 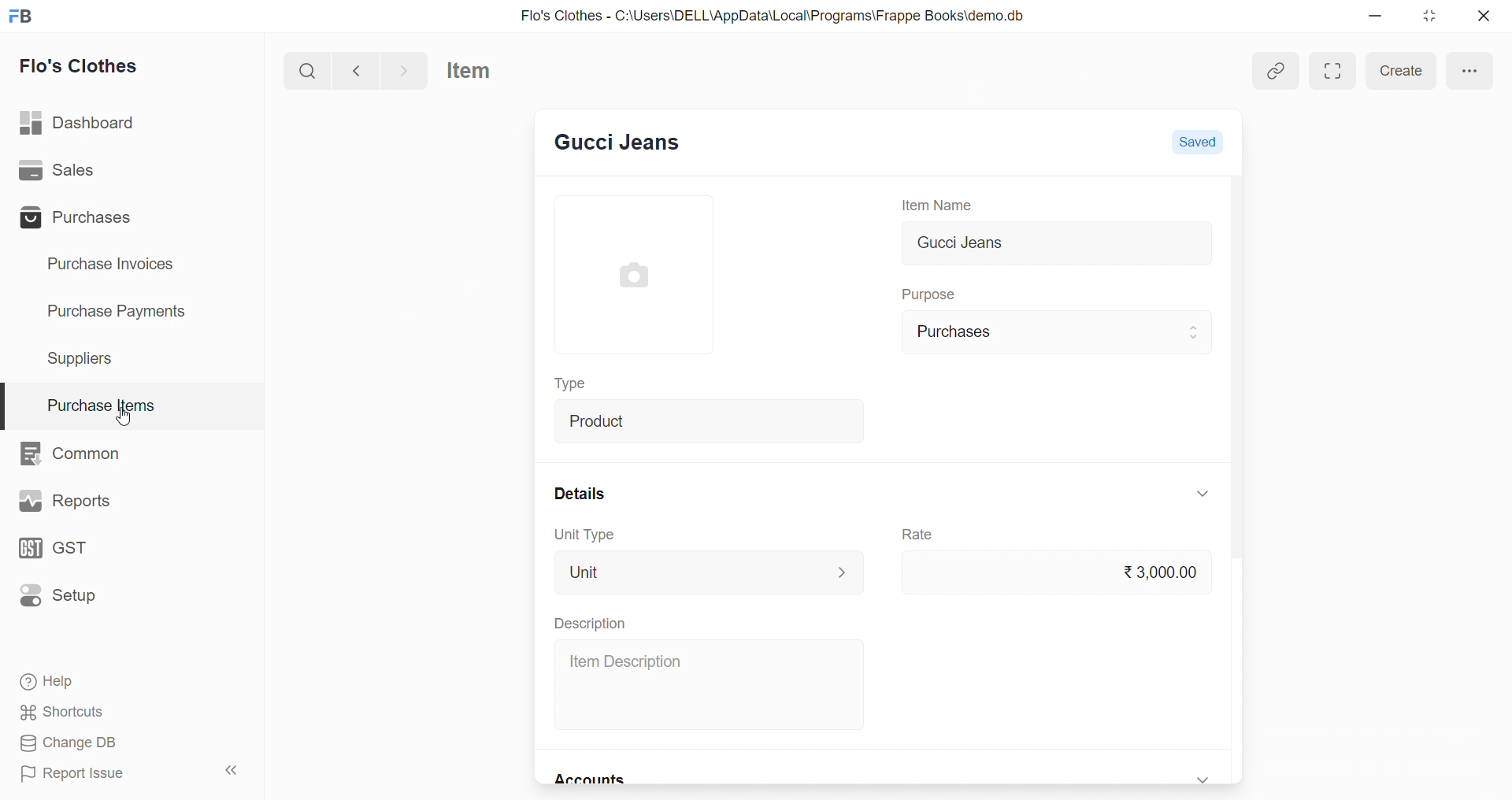 What do you see at coordinates (87, 357) in the screenshot?
I see `Suppliers` at bounding box center [87, 357].